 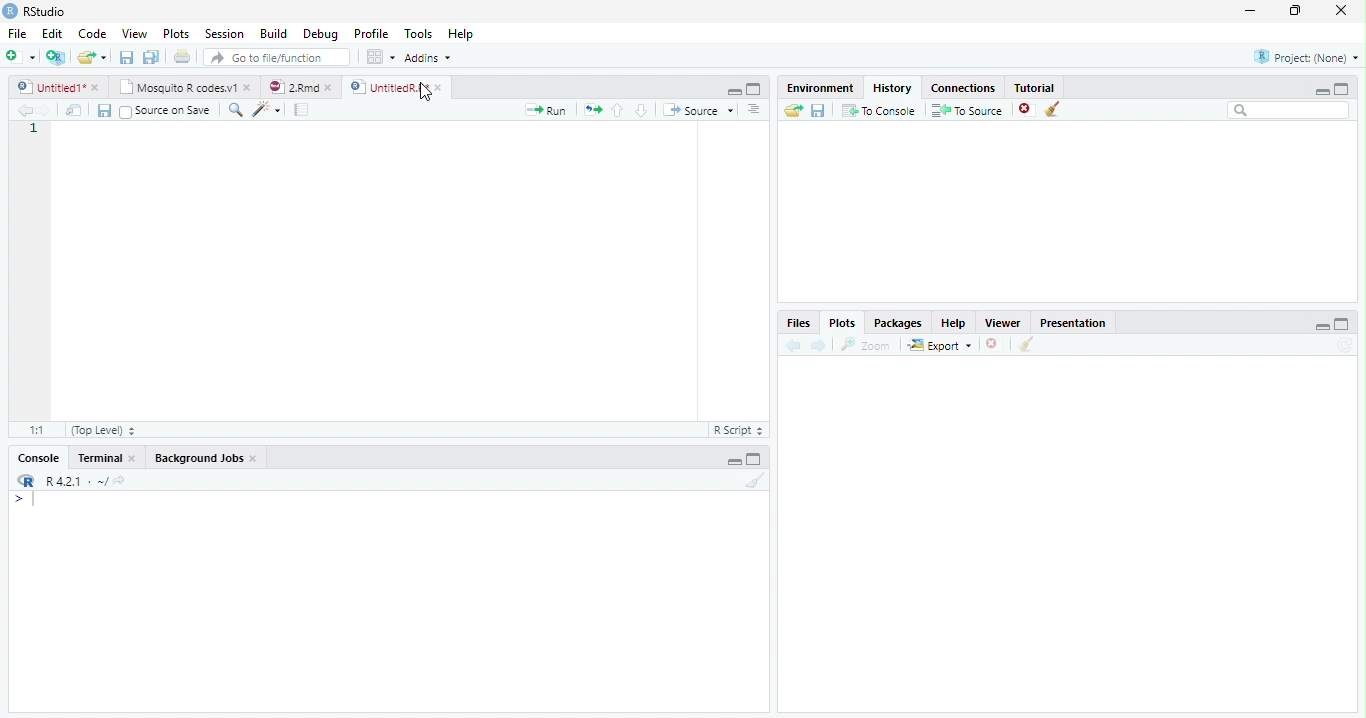 What do you see at coordinates (425, 93) in the screenshot?
I see `Cursor` at bounding box center [425, 93].